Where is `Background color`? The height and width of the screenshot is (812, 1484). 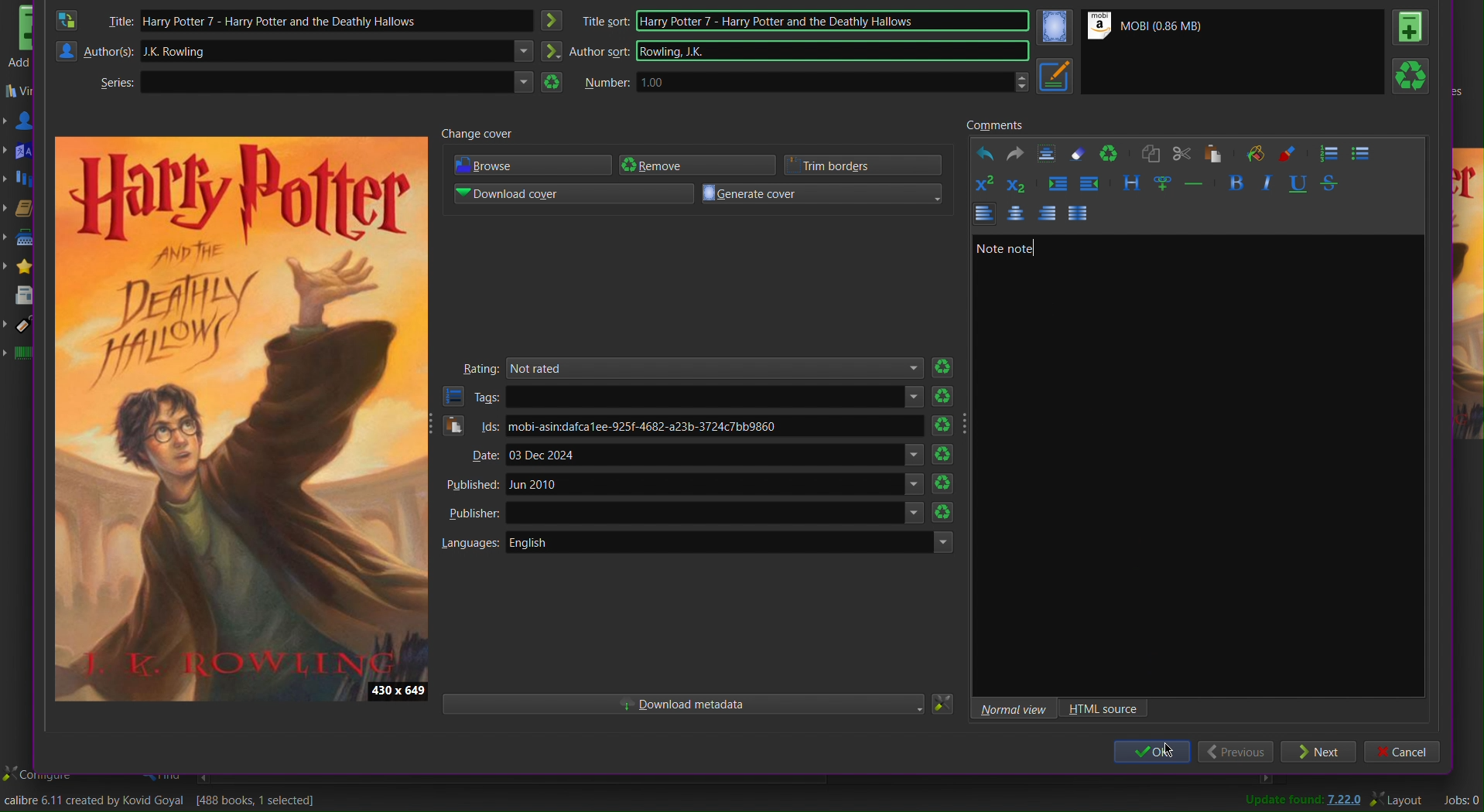
Background color is located at coordinates (1260, 153).